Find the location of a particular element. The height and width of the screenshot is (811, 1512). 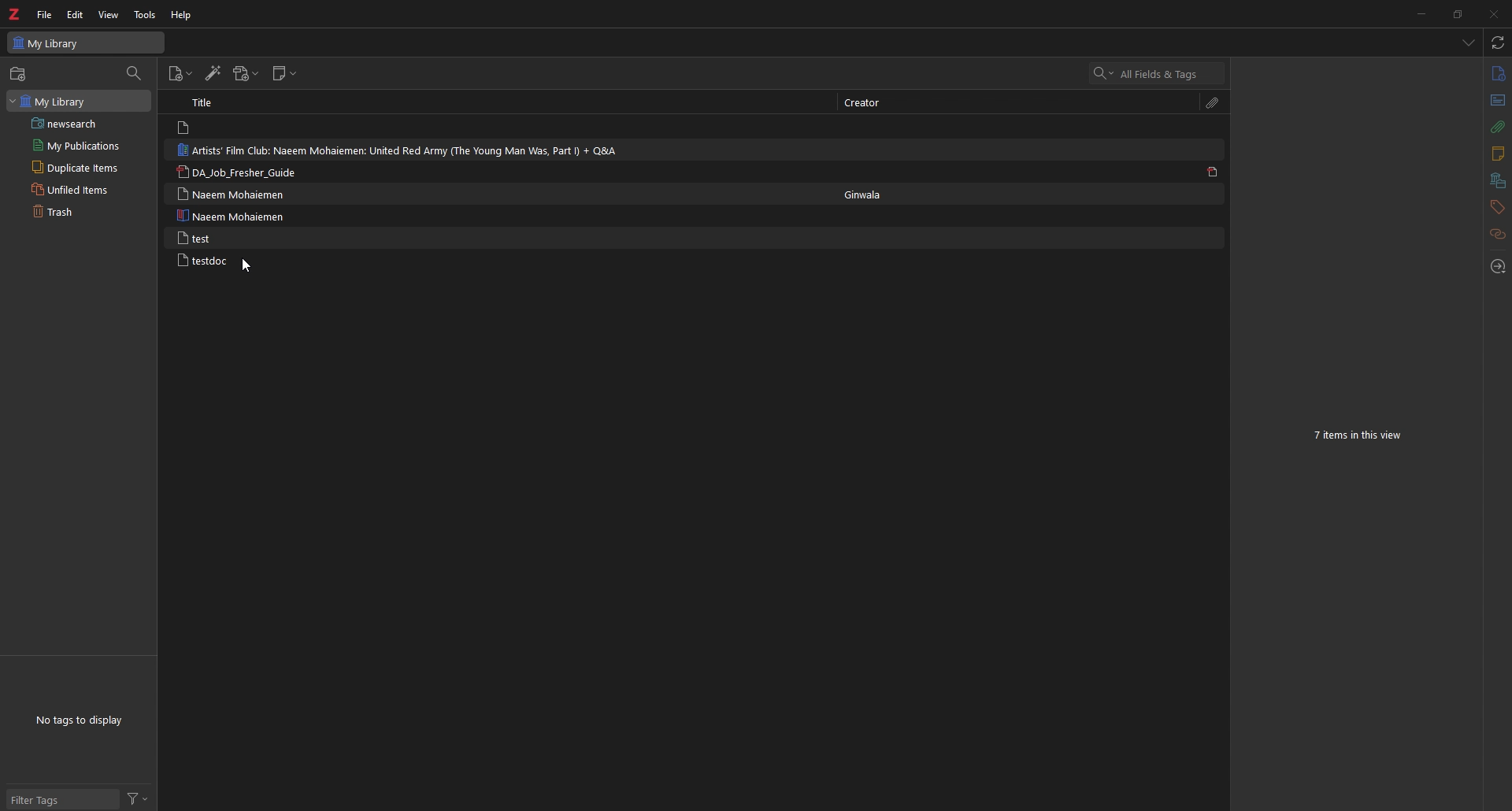

view is located at coordinates (108, 15).